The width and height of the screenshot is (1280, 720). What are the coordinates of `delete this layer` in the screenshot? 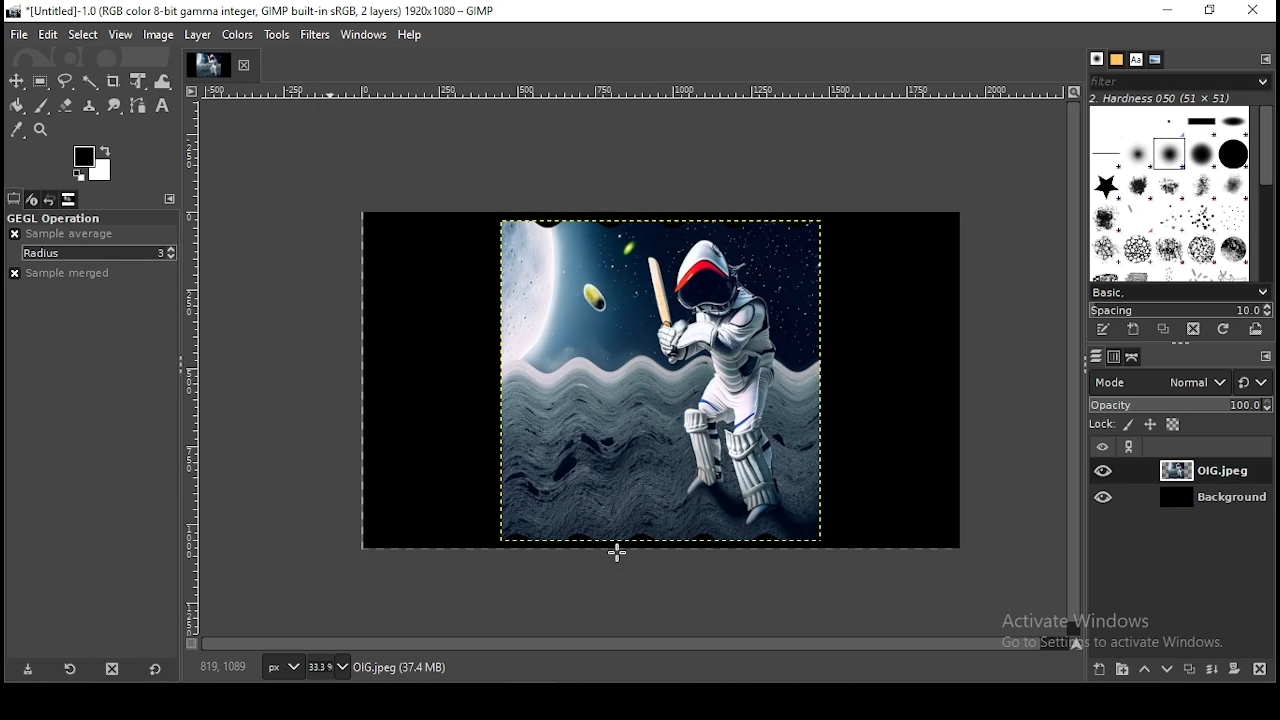 It's located at (1260, 670).